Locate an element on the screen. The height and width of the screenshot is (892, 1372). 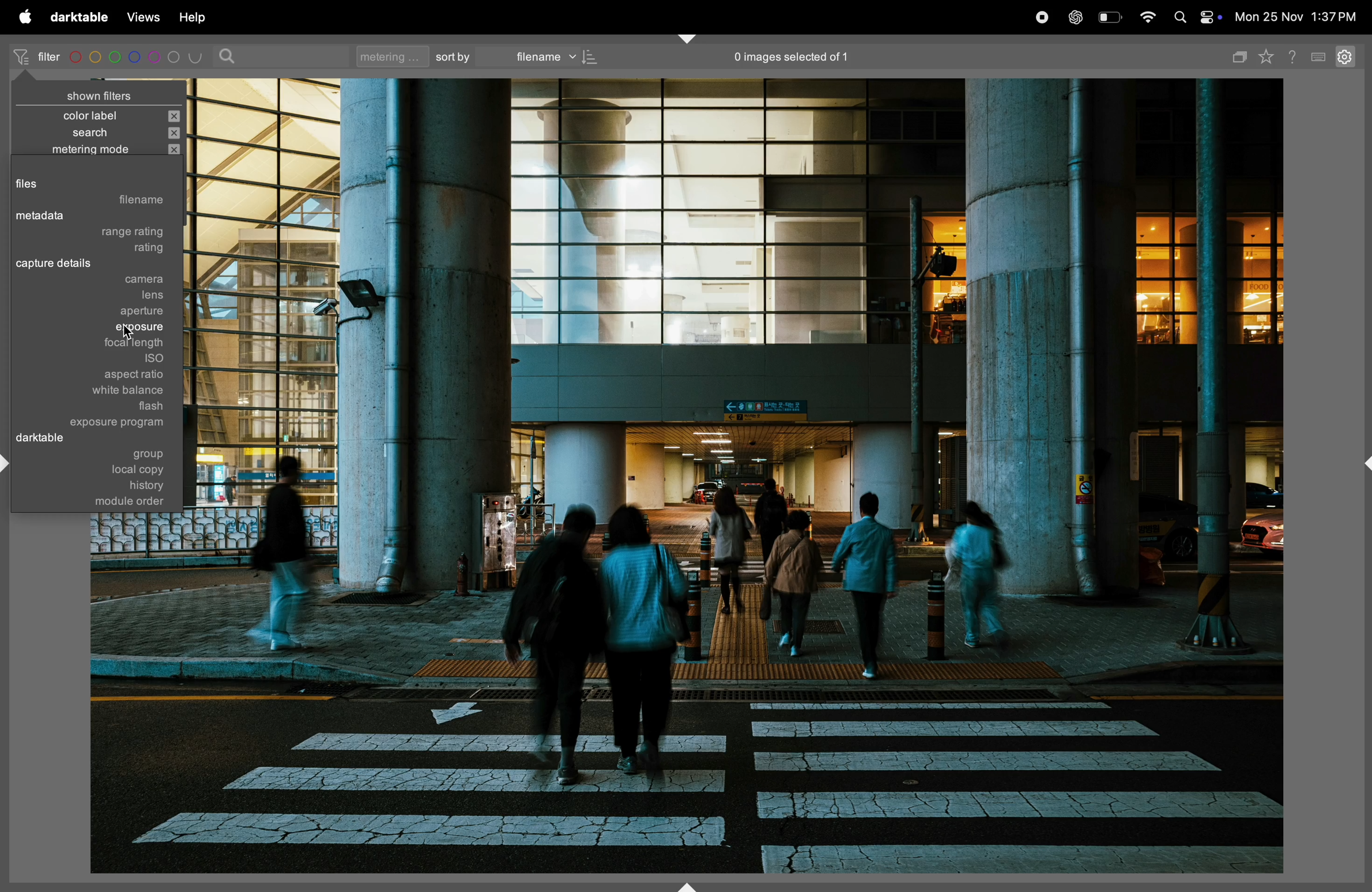
iso is located at coordinates (133, 361).